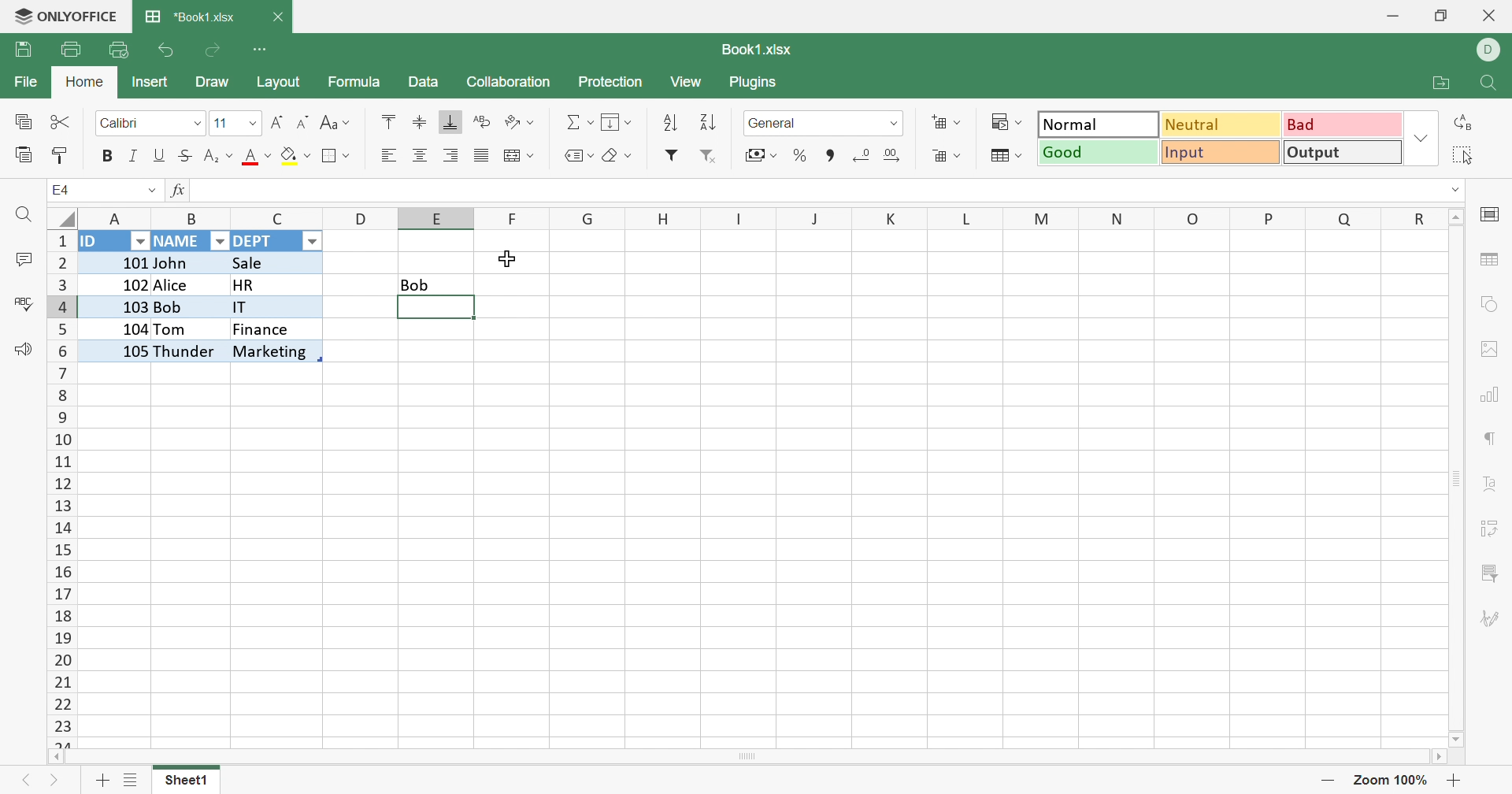 The width and height of the screenshot is (1512, 794). I want to click on Format table as template, so click(948, 156).